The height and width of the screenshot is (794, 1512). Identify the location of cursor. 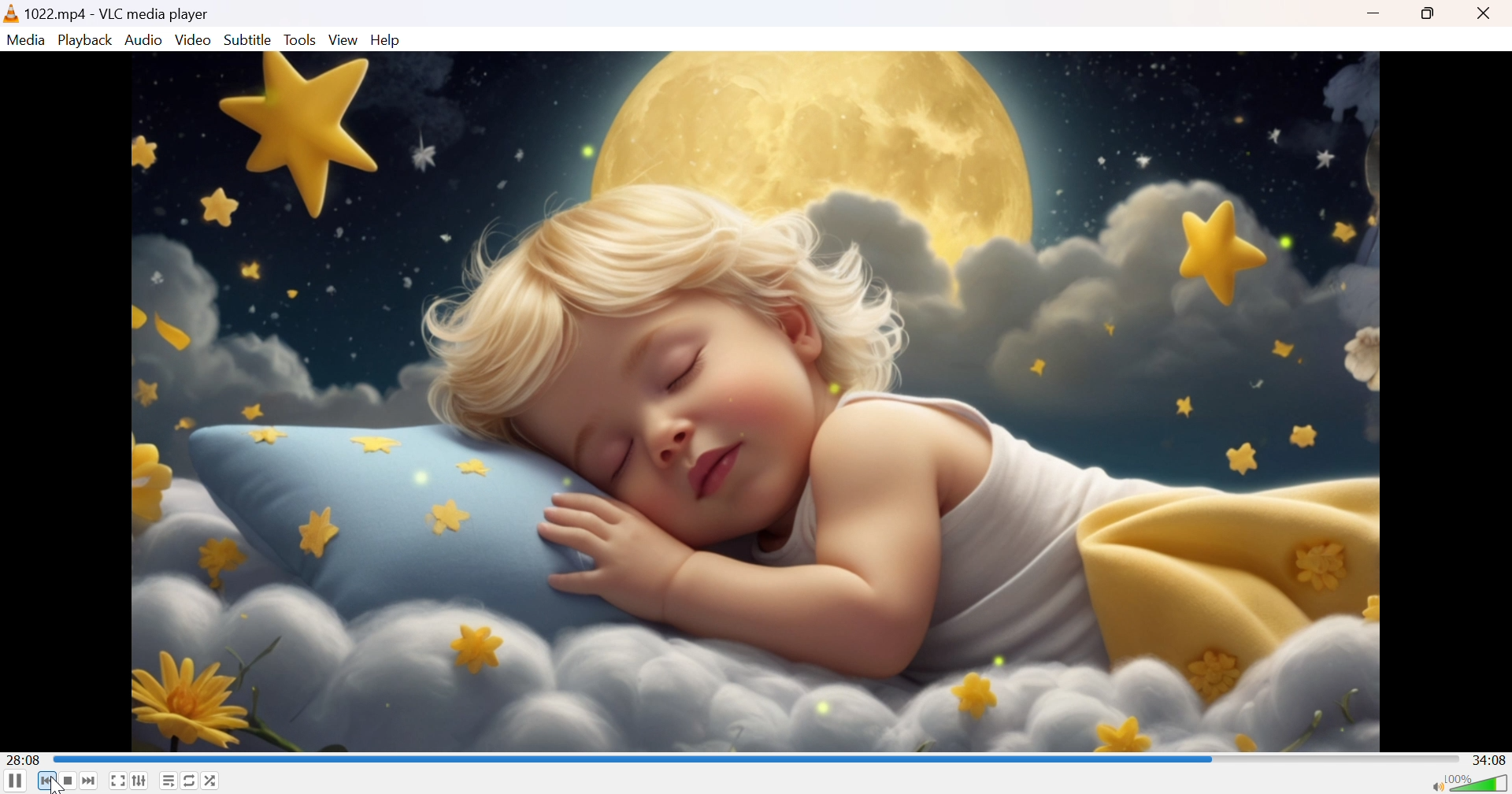
(56, 785).